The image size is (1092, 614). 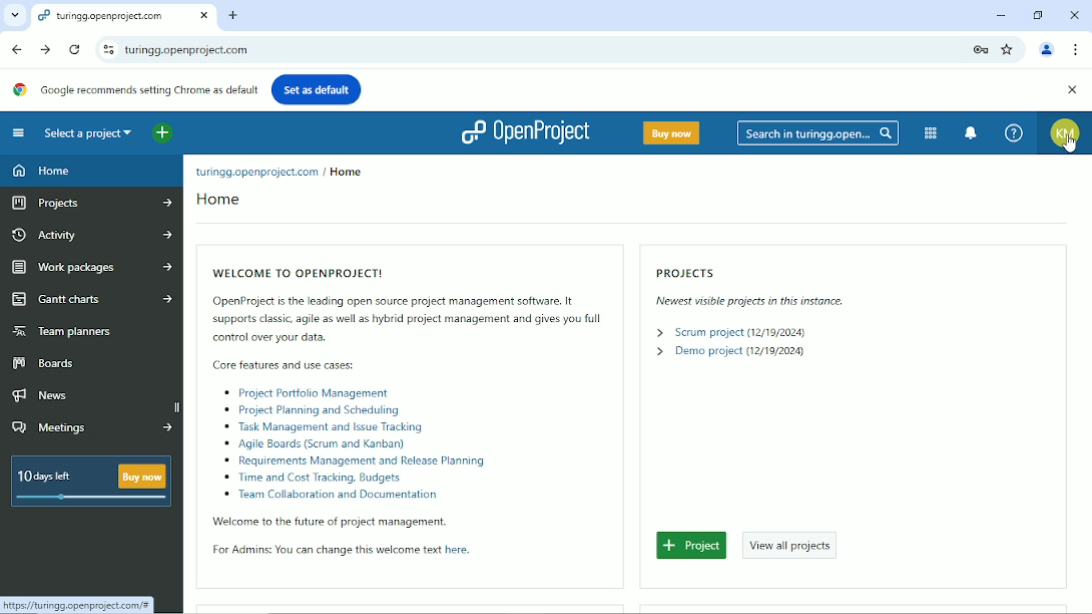 I want to click on Meetings, so click(x=95, y=429).